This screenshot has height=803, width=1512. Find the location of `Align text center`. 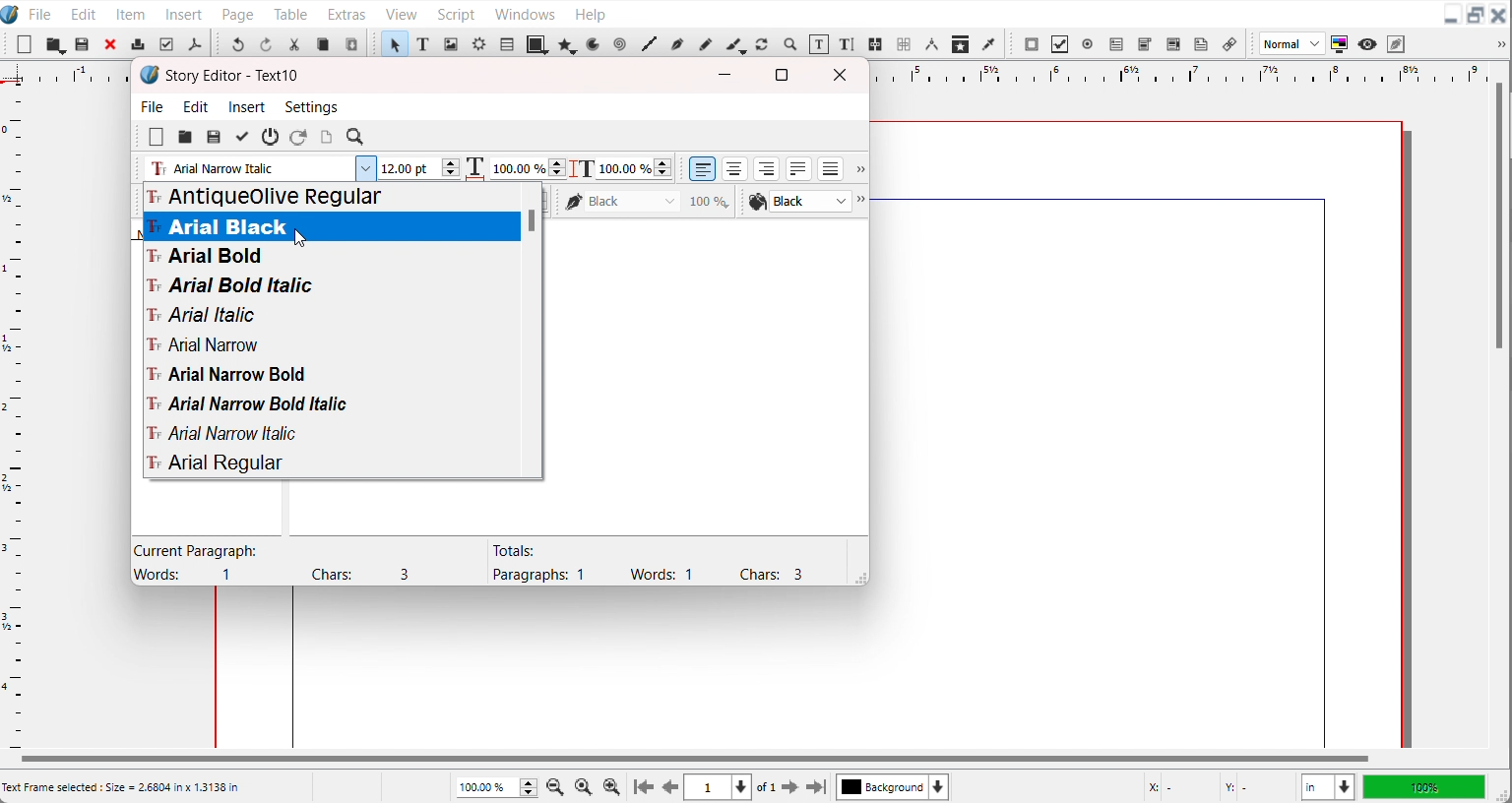

Align text center is located at coordinates (735, 168).